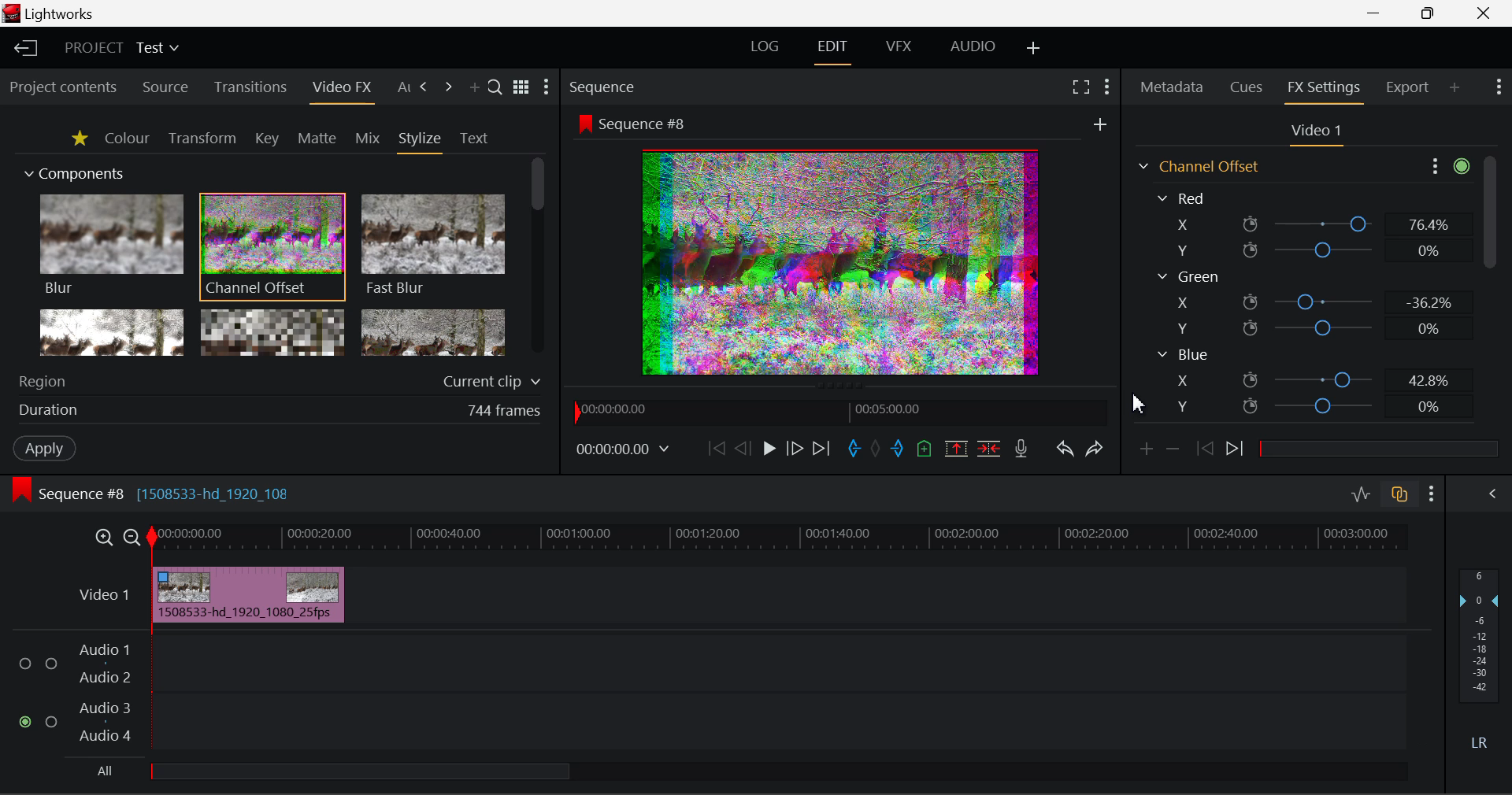  What do you see at coordinates (548, 87) in the screenshot?
I see `Show Settings` at bounding box center [548, 87].